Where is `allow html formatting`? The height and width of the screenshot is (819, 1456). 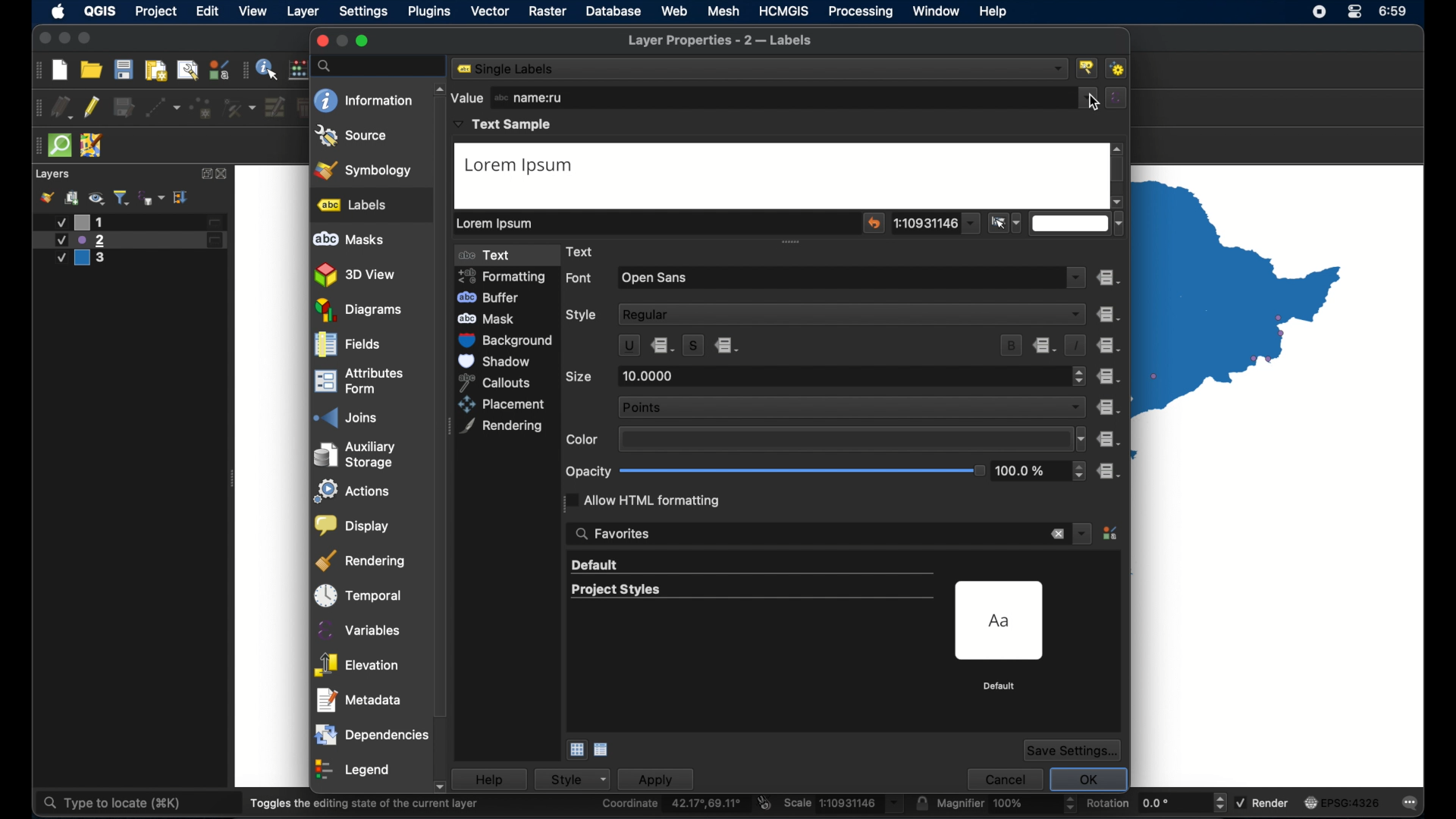
allow html formatting is located at coordinates (645, 500).